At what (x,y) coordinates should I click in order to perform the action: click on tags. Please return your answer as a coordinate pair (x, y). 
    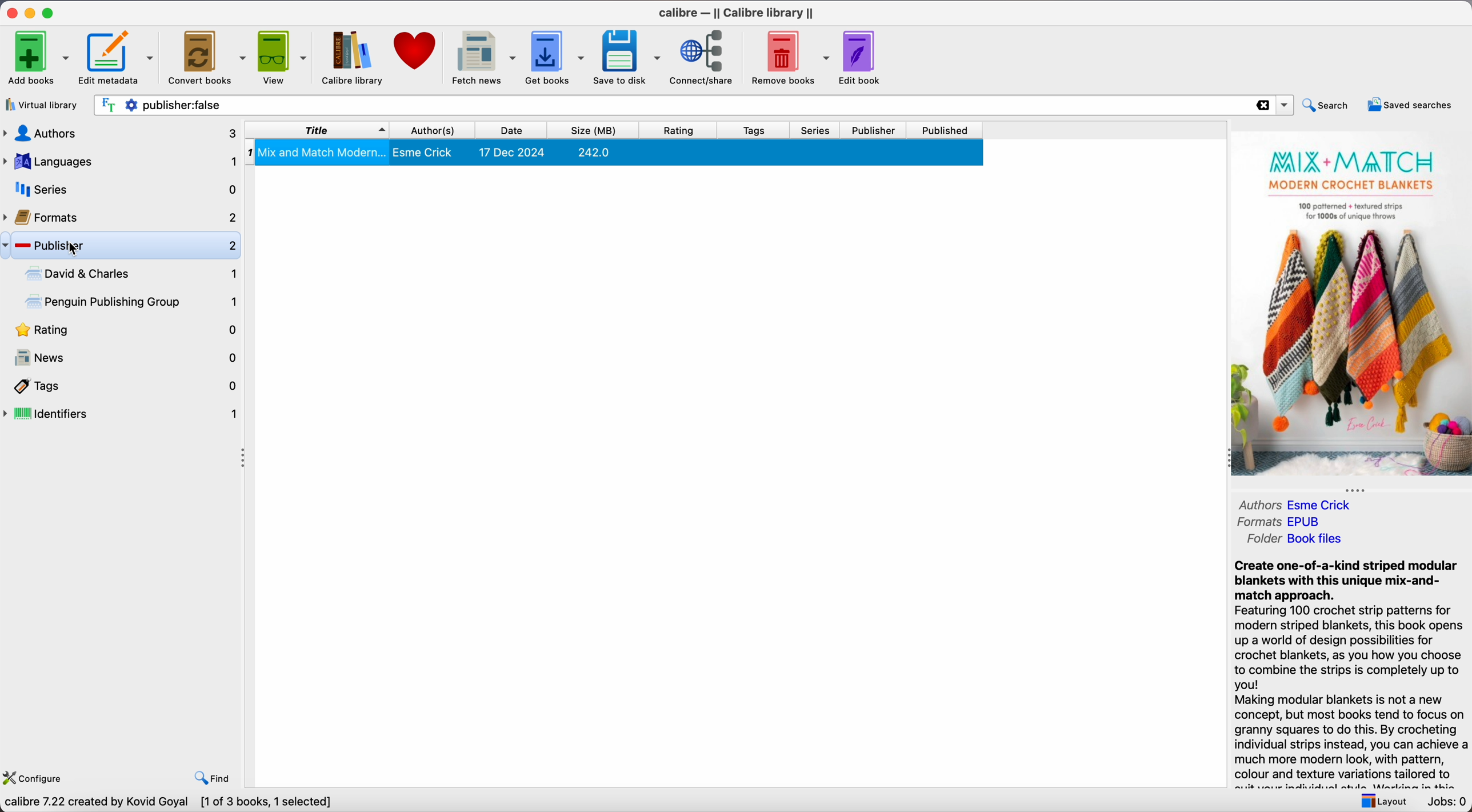
    Looking at the image, I should click on (758, 130).